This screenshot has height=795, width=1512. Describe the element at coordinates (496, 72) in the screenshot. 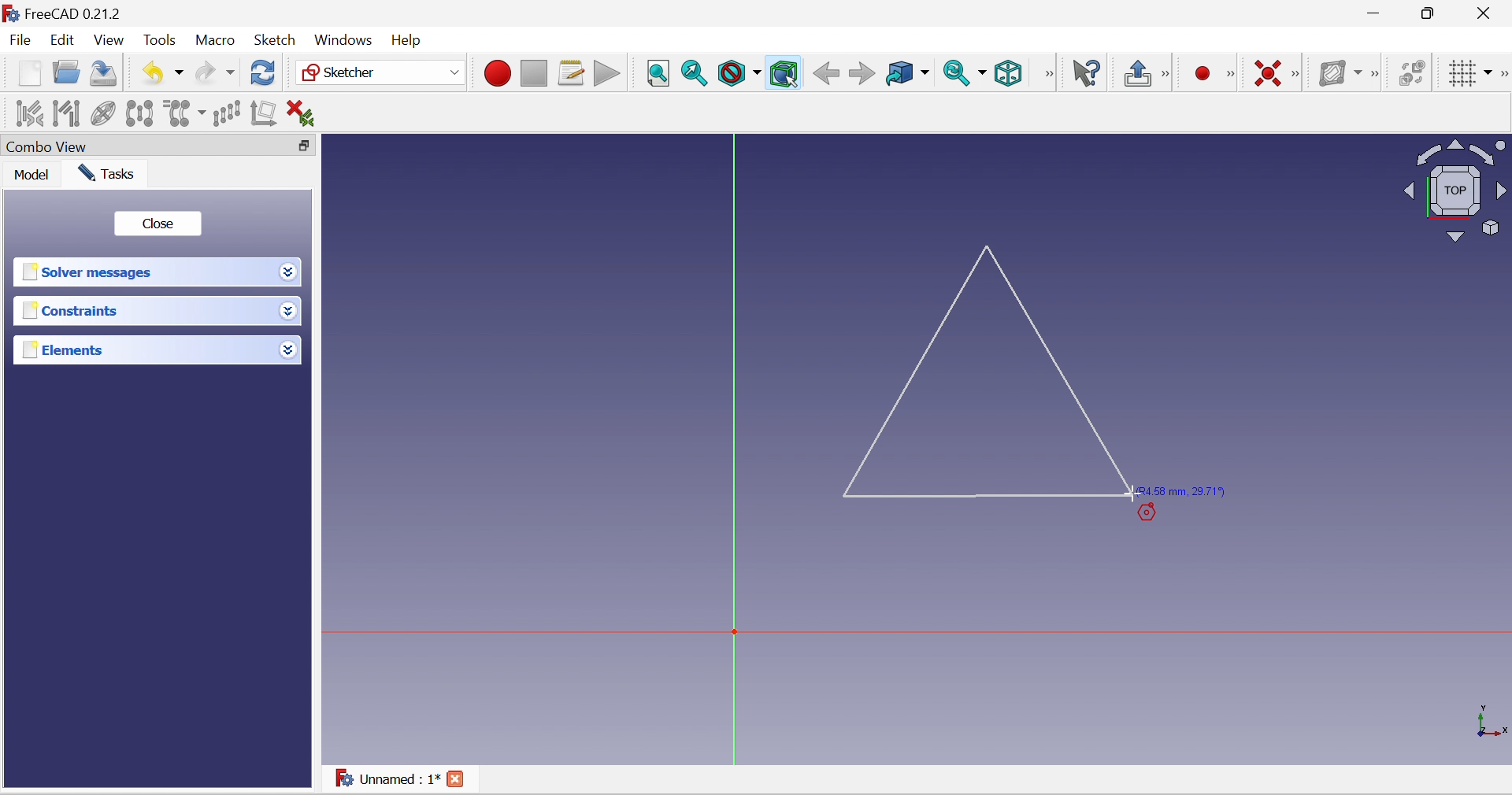

I see `Macro recording` at that location.